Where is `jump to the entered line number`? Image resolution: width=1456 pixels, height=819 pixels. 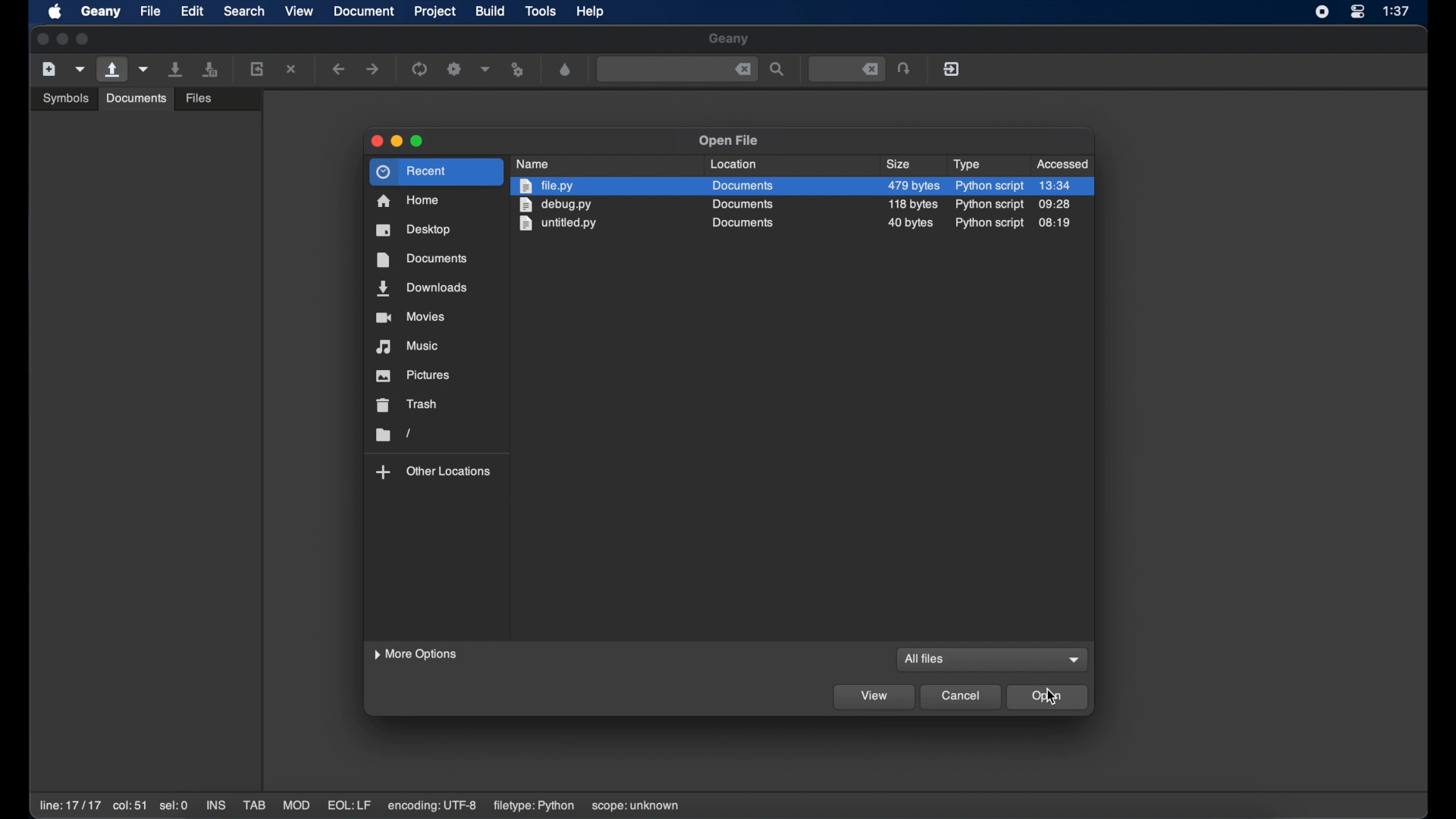
jump to the entered line number is located at coordinates (846, 68).